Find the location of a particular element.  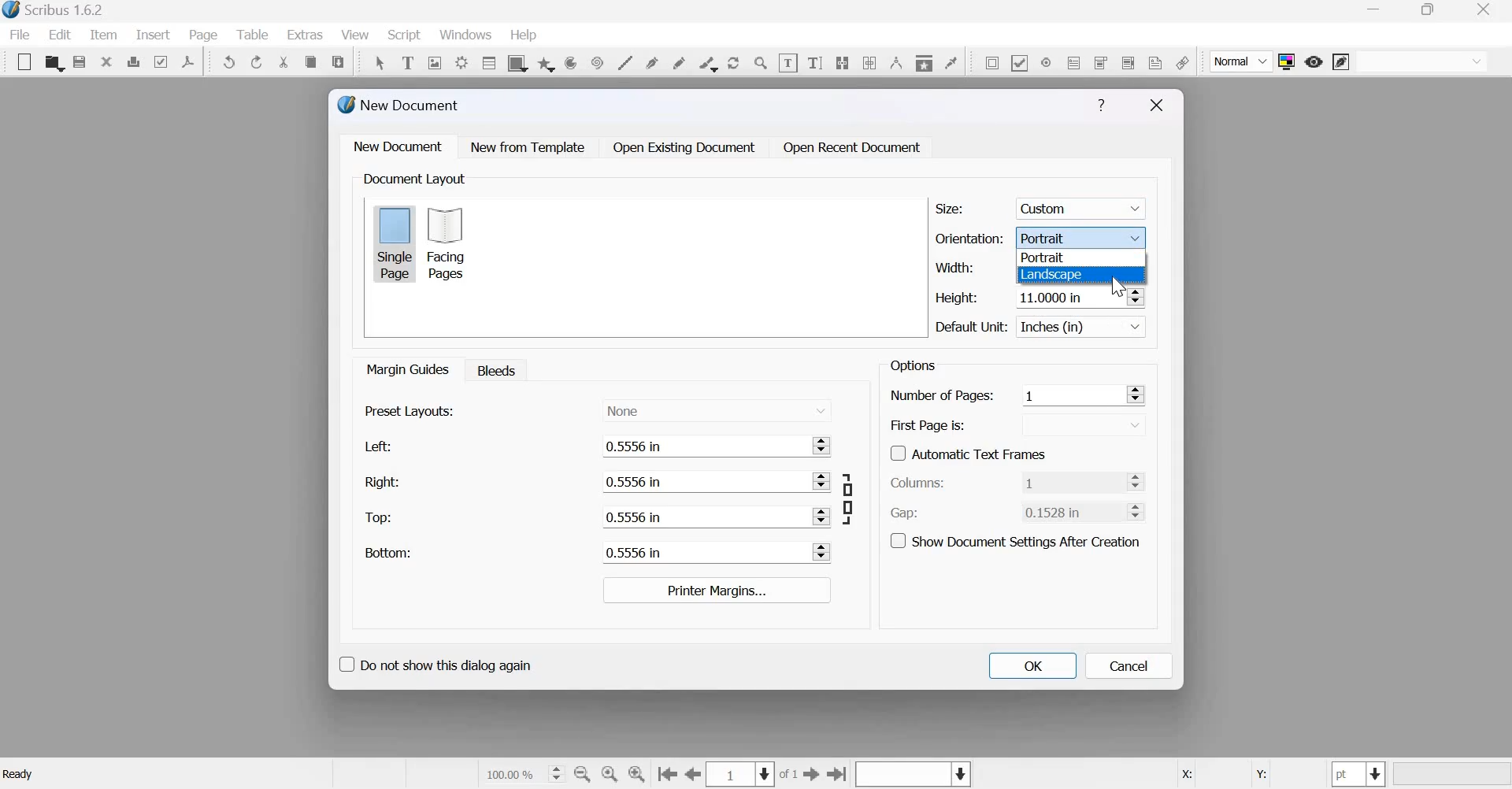

Right: is located at coordinates (381, 481).